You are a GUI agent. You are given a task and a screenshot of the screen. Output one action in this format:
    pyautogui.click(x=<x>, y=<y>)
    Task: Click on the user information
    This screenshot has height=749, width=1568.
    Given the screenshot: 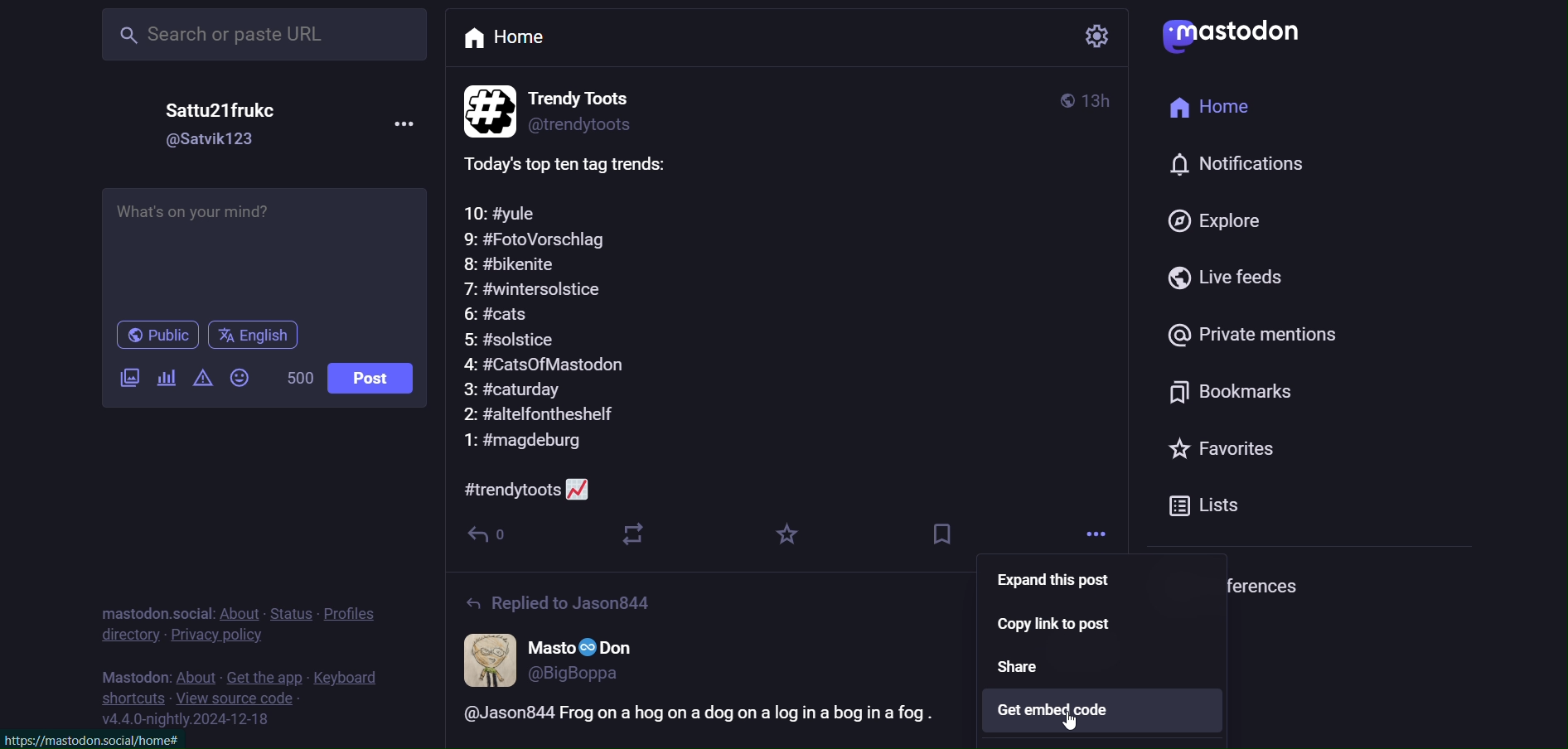 What is the action you would take?
    pyautogui.click(x=560, y=658)
    